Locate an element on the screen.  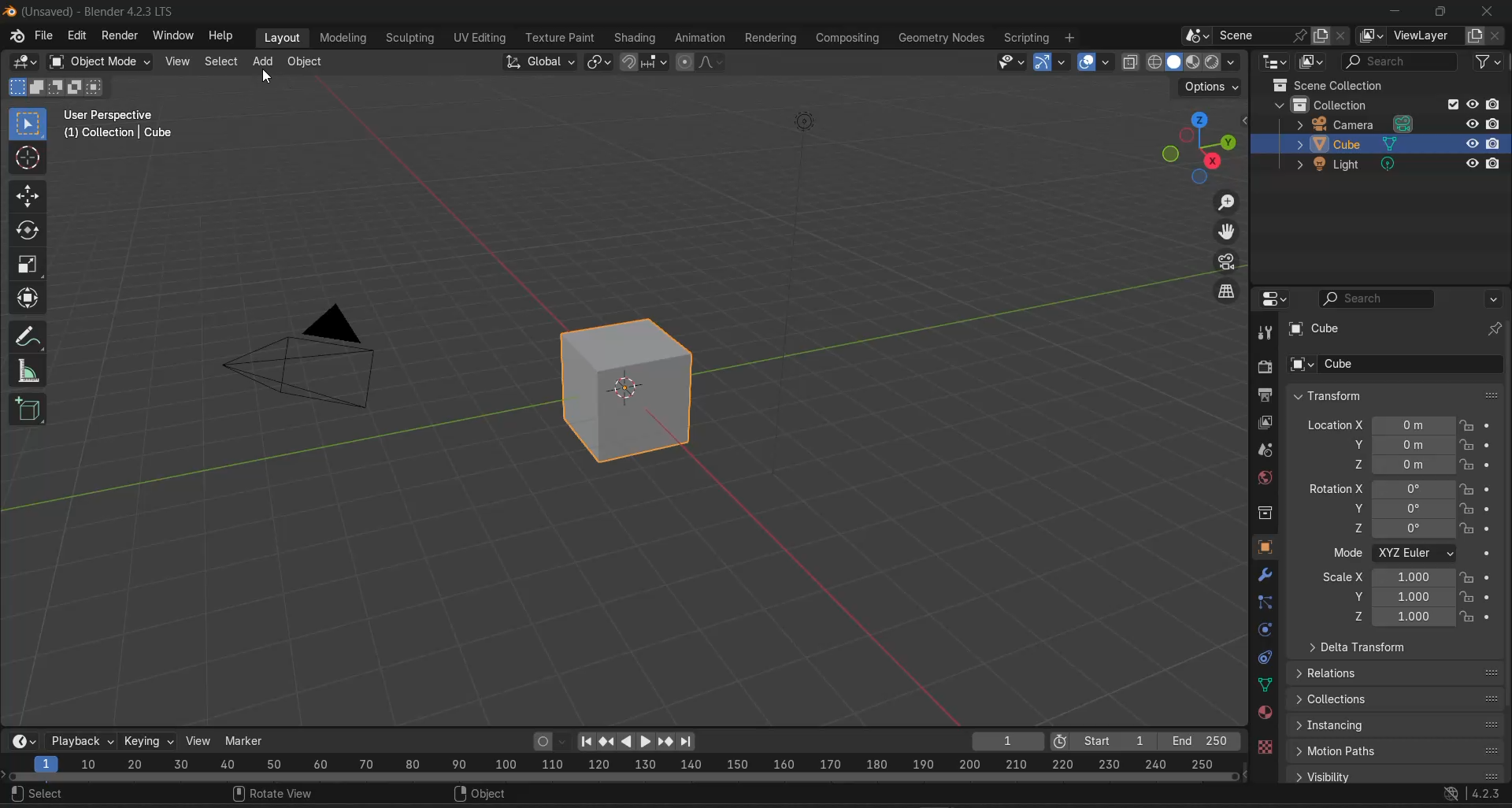
location x is located at coordinates (1378, 424).